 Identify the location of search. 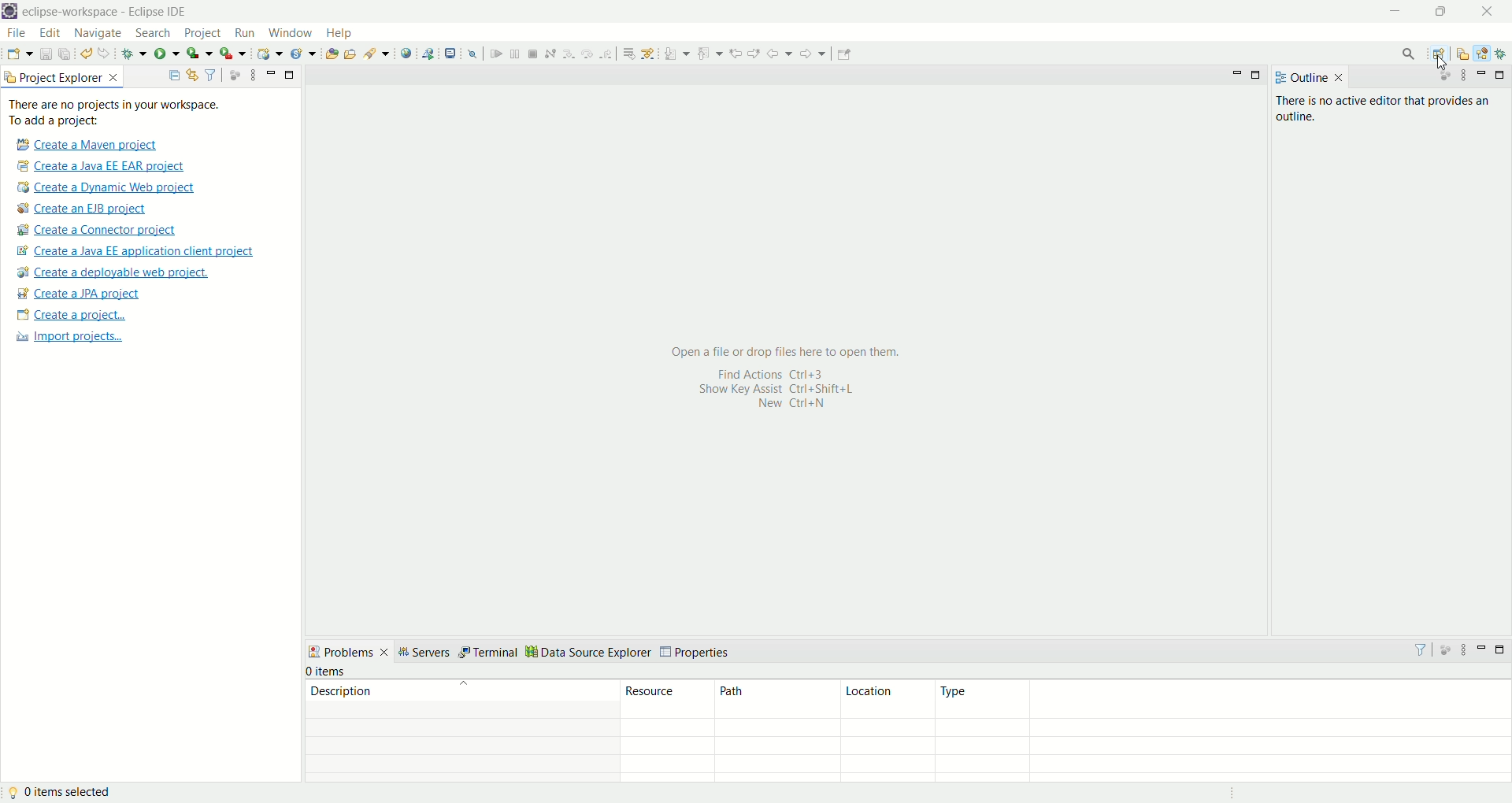
(376, 54).